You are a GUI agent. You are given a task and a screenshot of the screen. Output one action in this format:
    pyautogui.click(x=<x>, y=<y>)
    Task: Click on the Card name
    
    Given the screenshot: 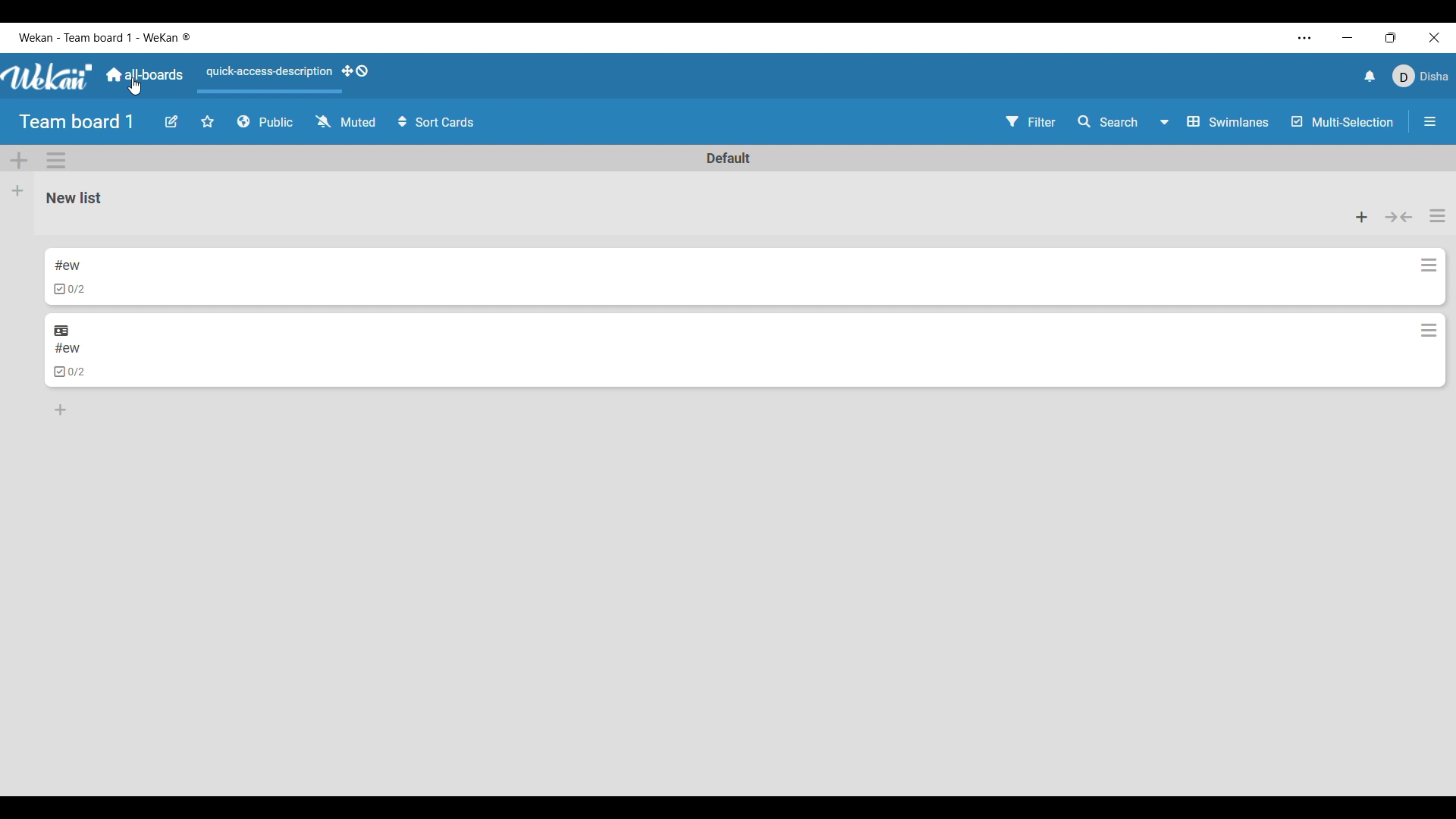 What is the action you would take?
    pyautogui.click(x=67, y=348)
    